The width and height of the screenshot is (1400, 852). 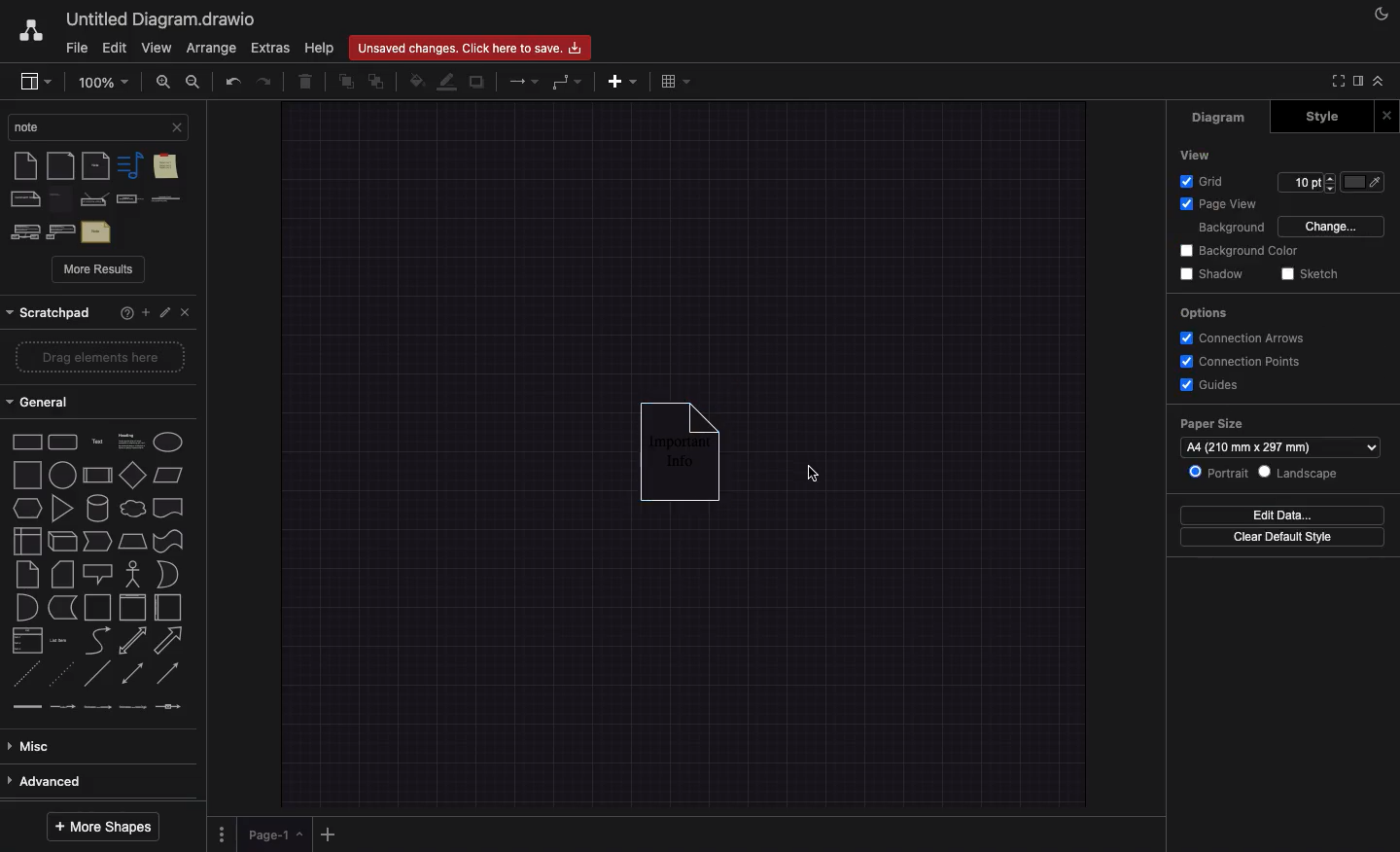 What do you see at coordinates (50, 313) in the screenshot?
I see `scratchpad` at bounding box center [50, 313].